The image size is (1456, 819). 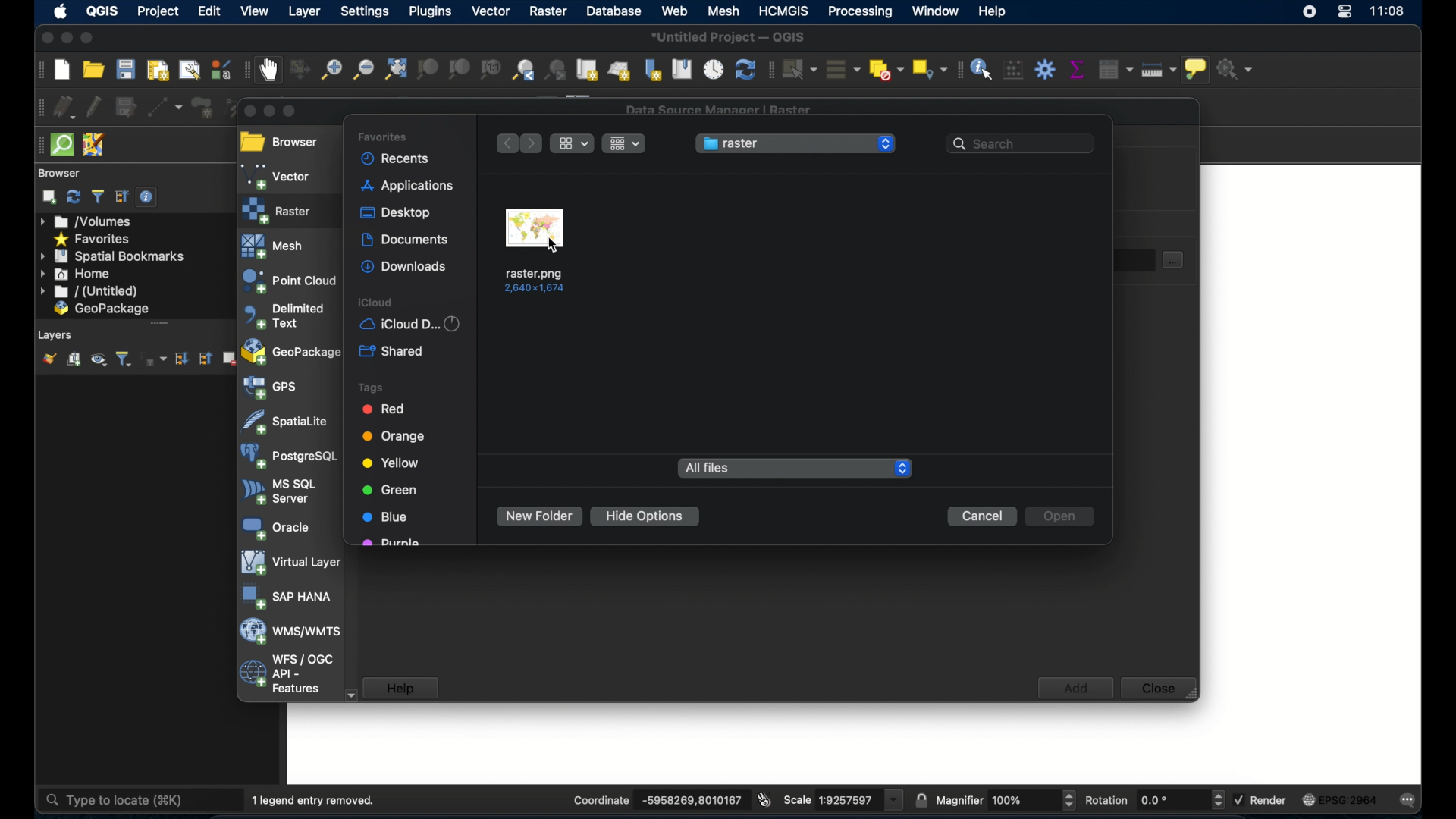 What do you see at coordinates (271, 71) in the screenshot?
I see `pan map` at bounding box center [271, 71].